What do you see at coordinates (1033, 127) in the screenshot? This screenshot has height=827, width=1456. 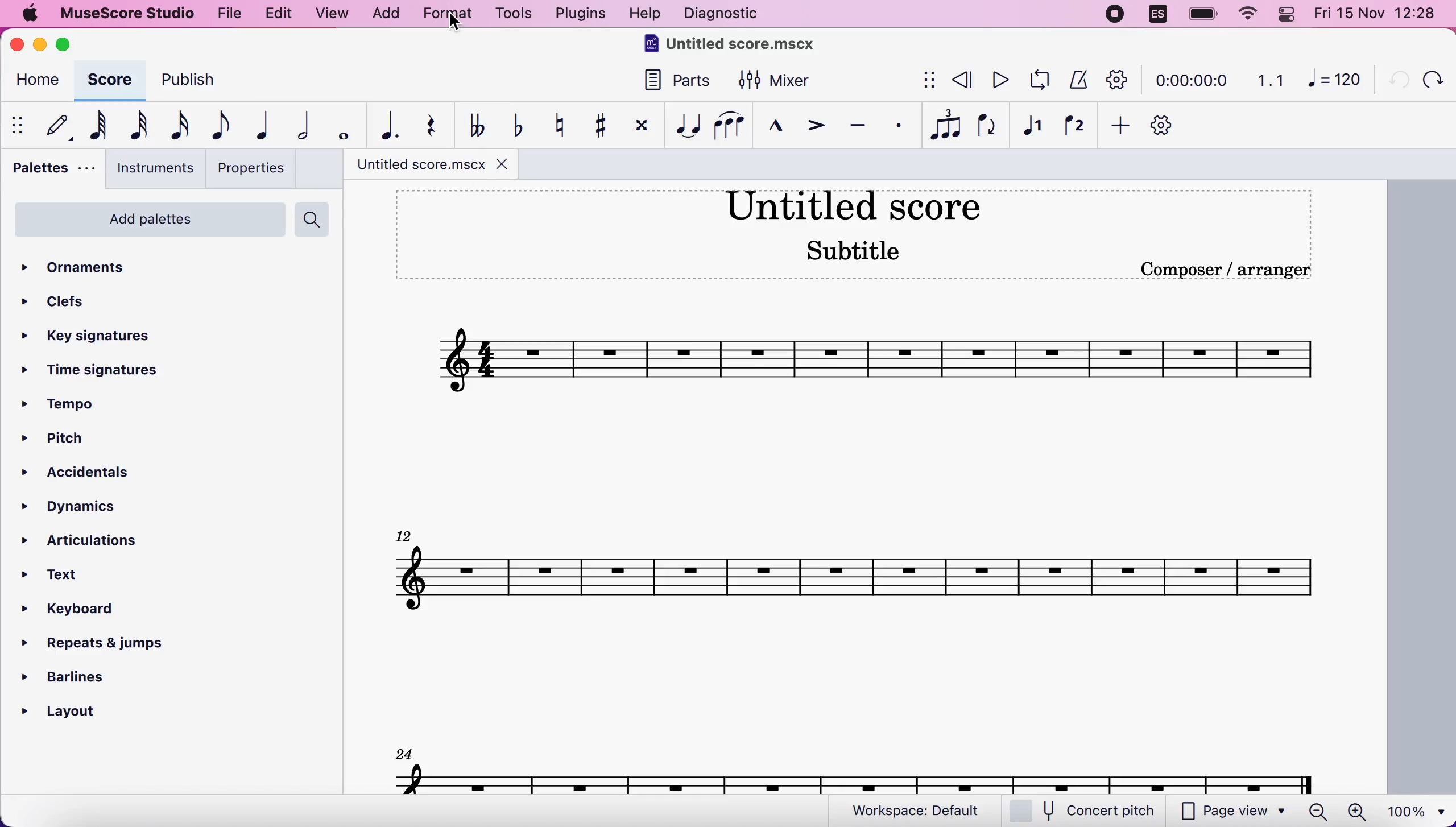 I see `voice 1` at bounding box center [1033, 127].